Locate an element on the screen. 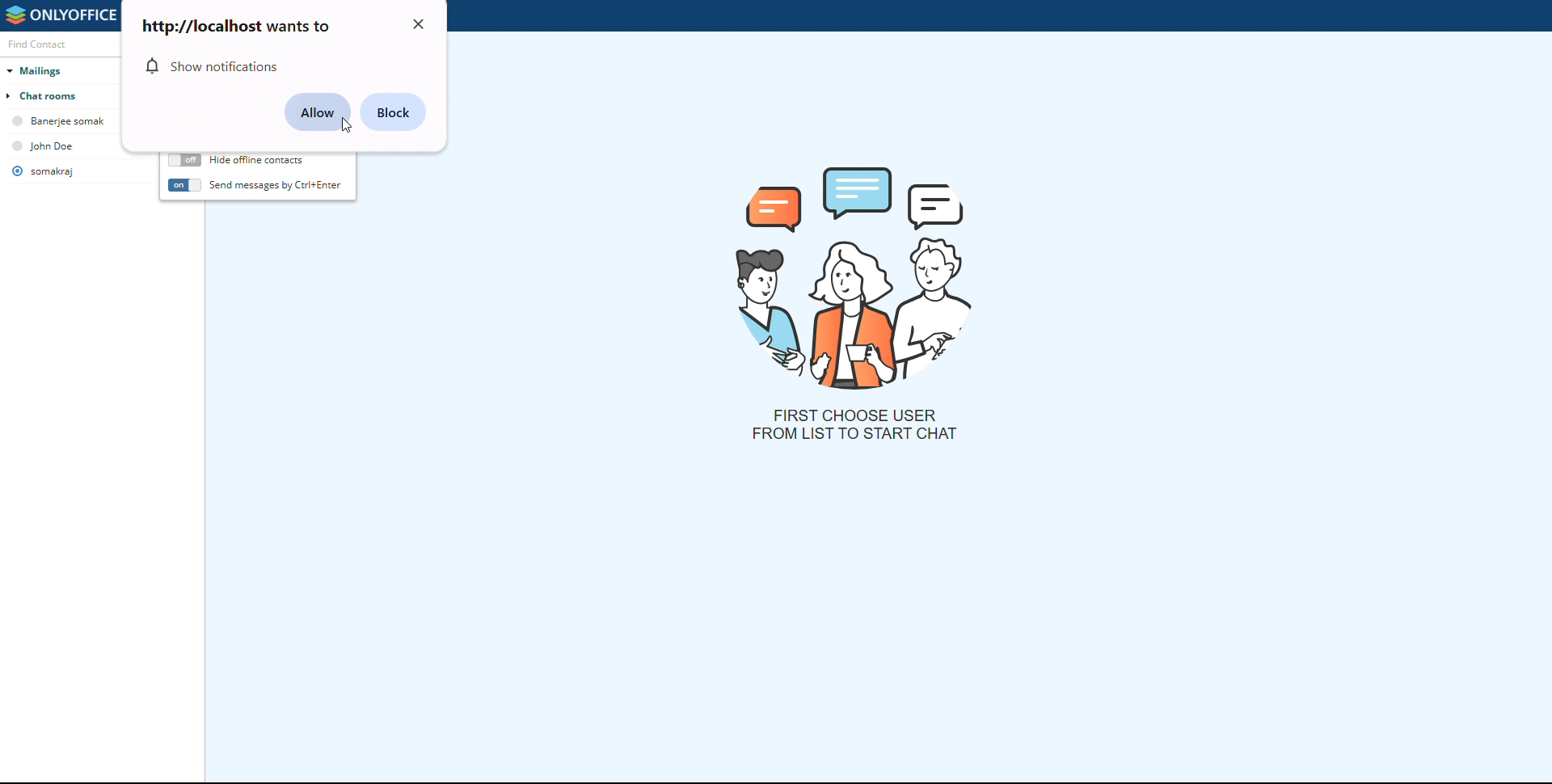 The image size is (1552, 784). chat rooms is located at coordinates (62, 95).